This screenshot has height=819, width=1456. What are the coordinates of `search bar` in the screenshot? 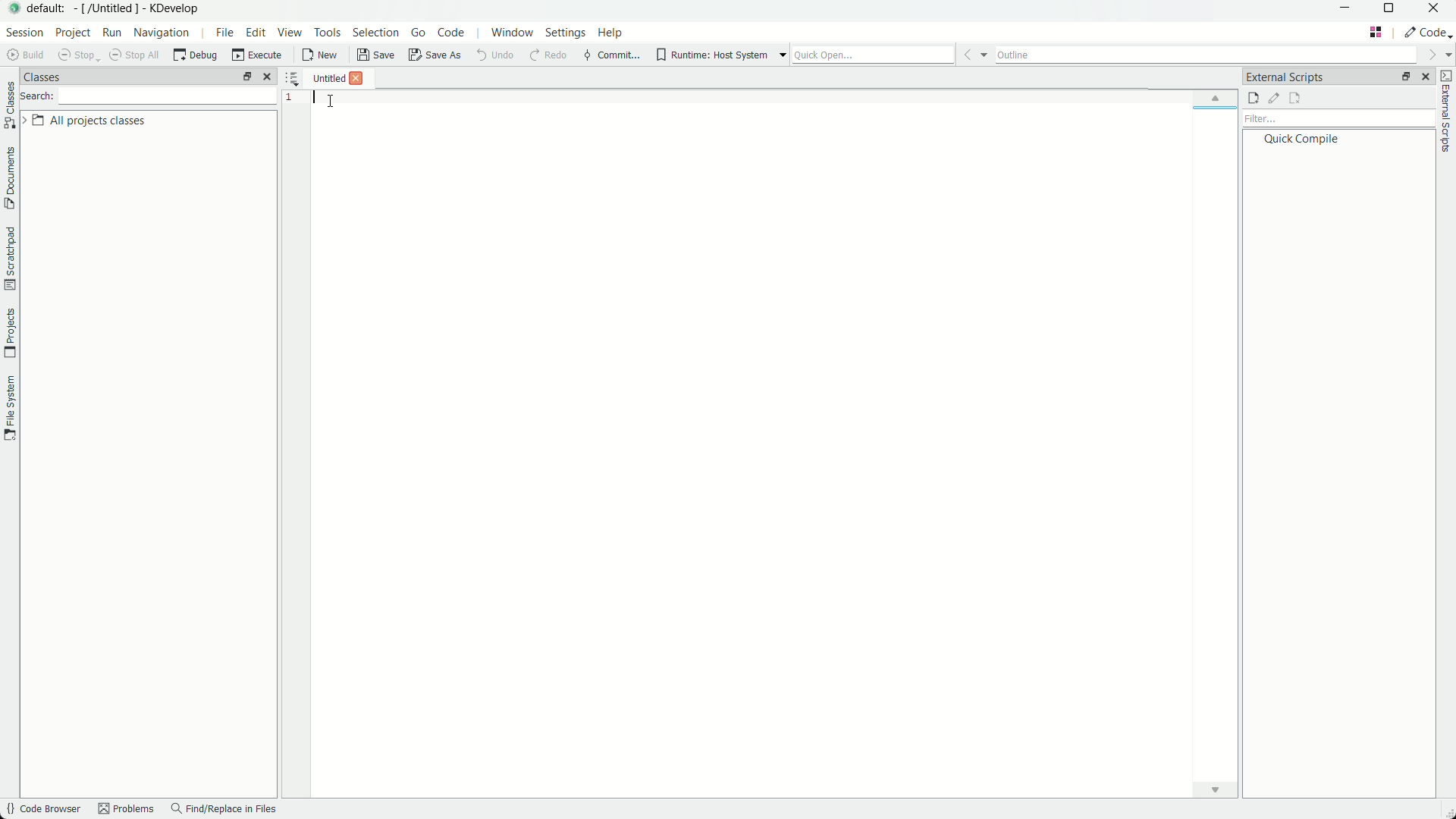 It's located at (169, 96).